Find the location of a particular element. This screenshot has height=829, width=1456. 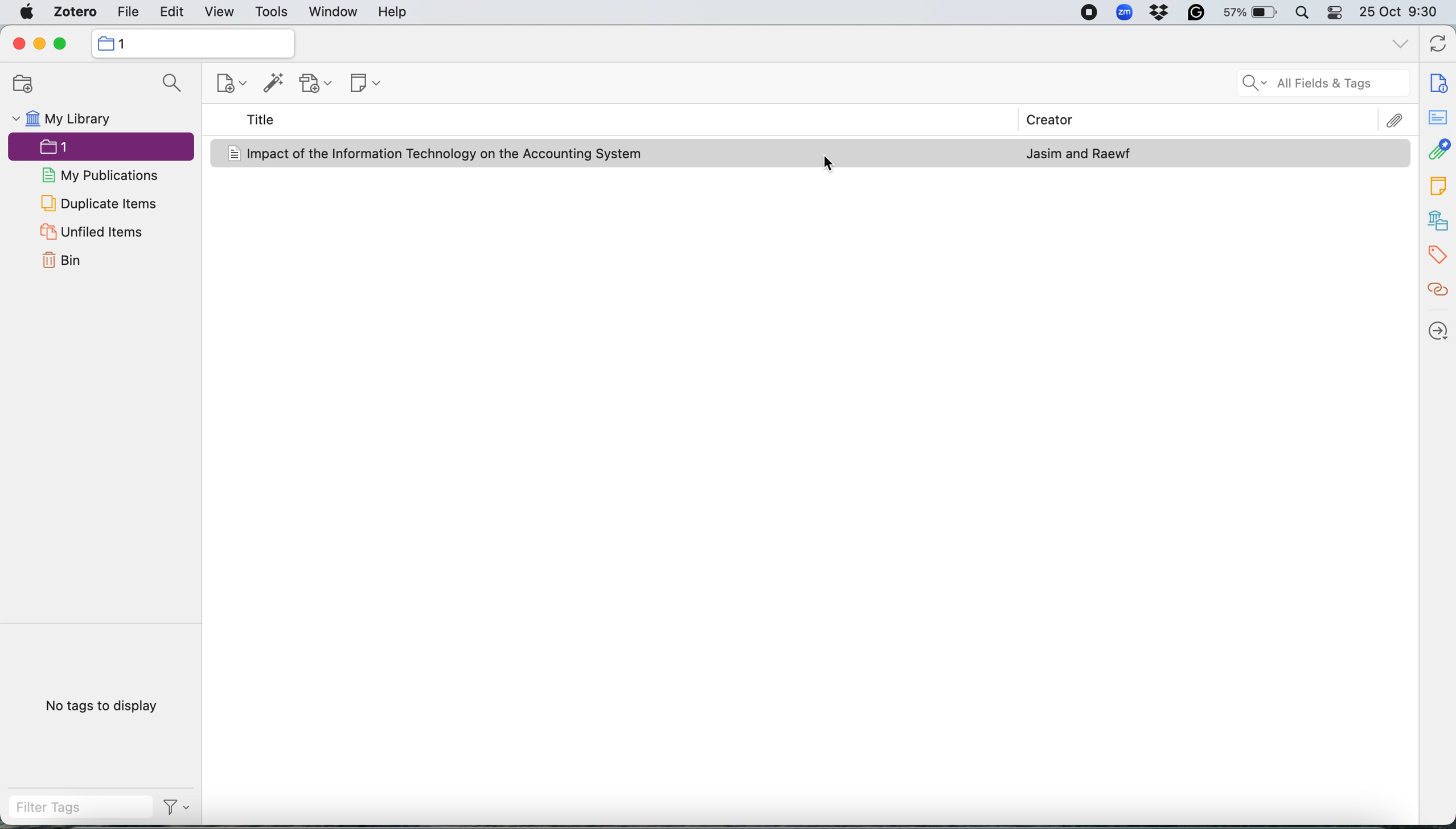

25 Oct 9:30 is located at coordinates (1402, 13).